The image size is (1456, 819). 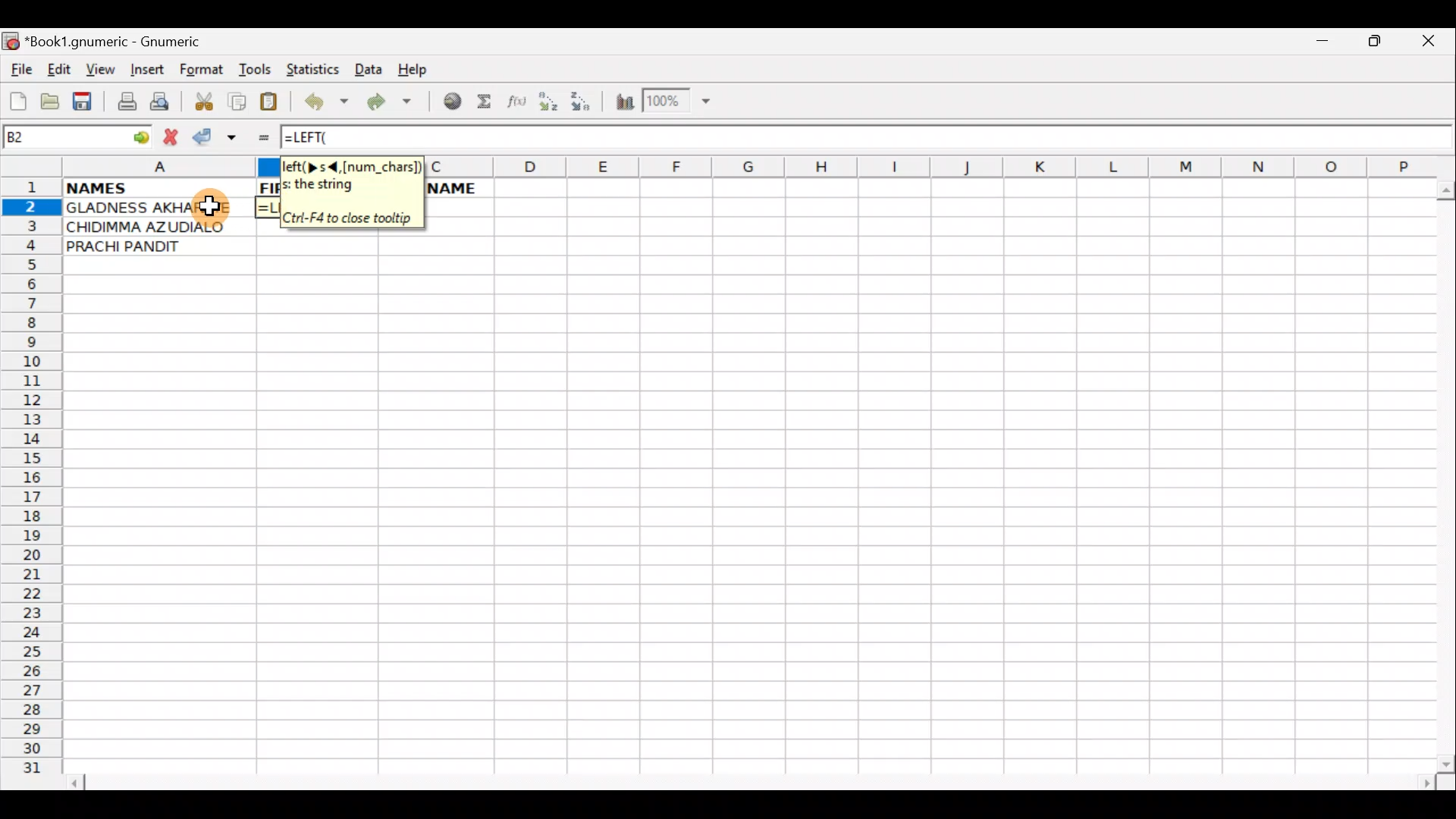 I want to click on Data, so click(x=368, y=68).